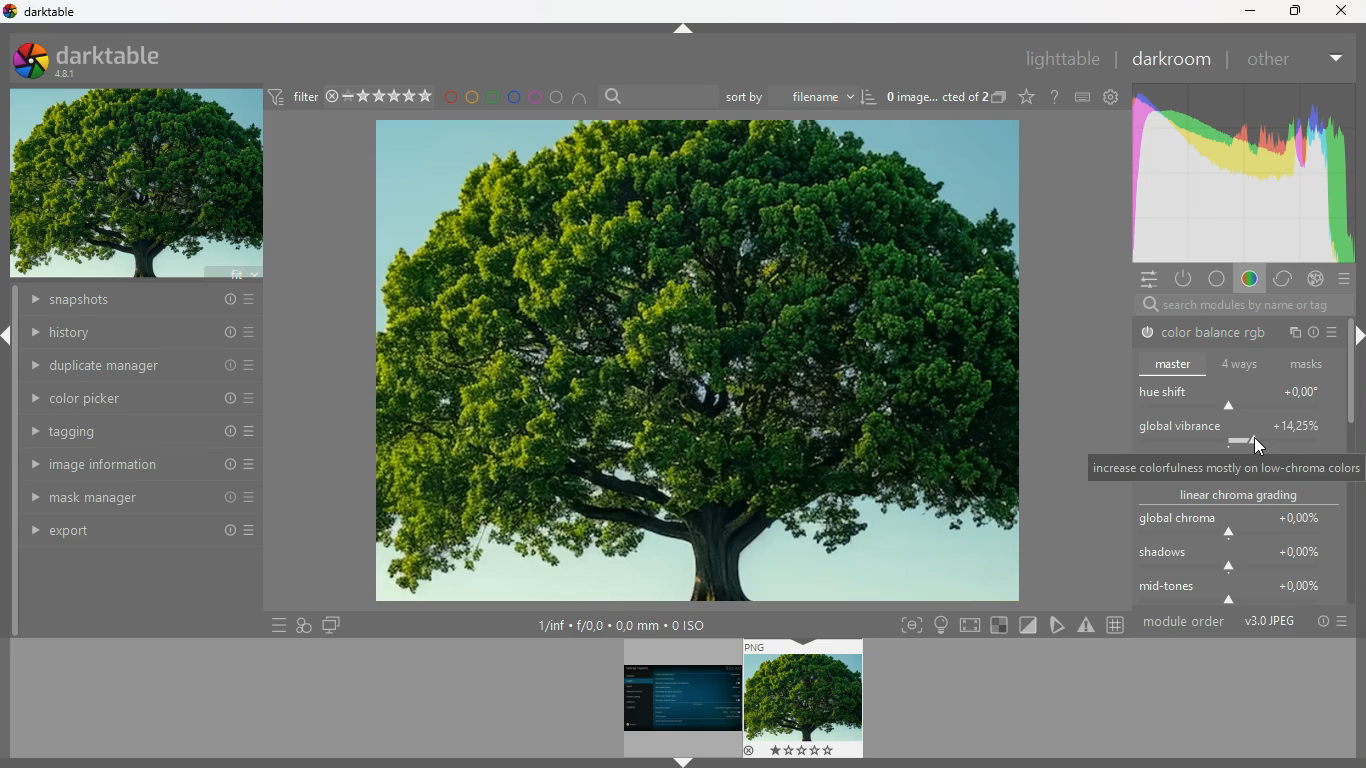 The width and height of the screenshot is (1366, 768). Describe the element at coordinates (1247, 12) in the screenshot. I see `minimize` at that location.